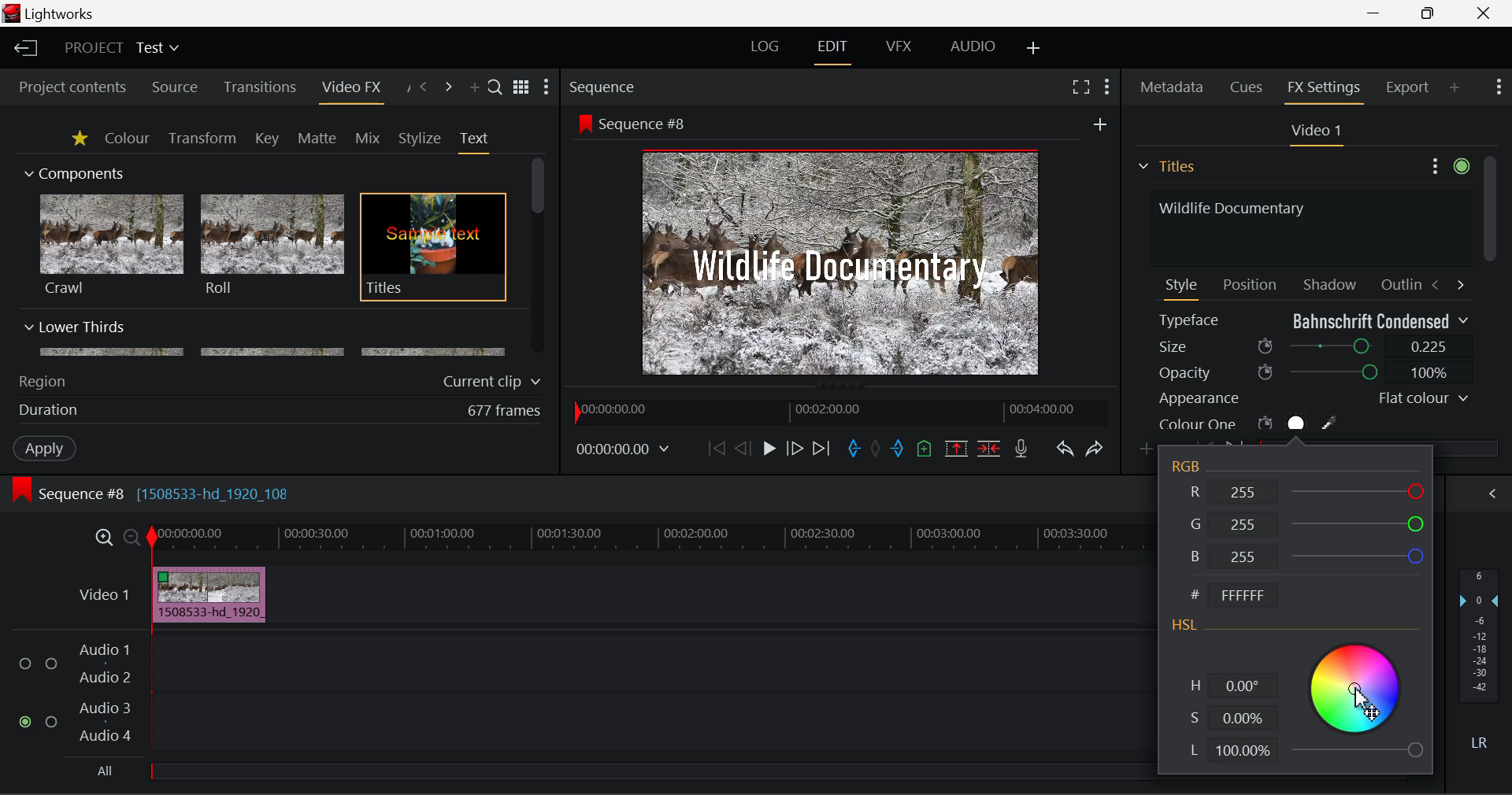  I want to click on Audio 4, so click(106, 734).